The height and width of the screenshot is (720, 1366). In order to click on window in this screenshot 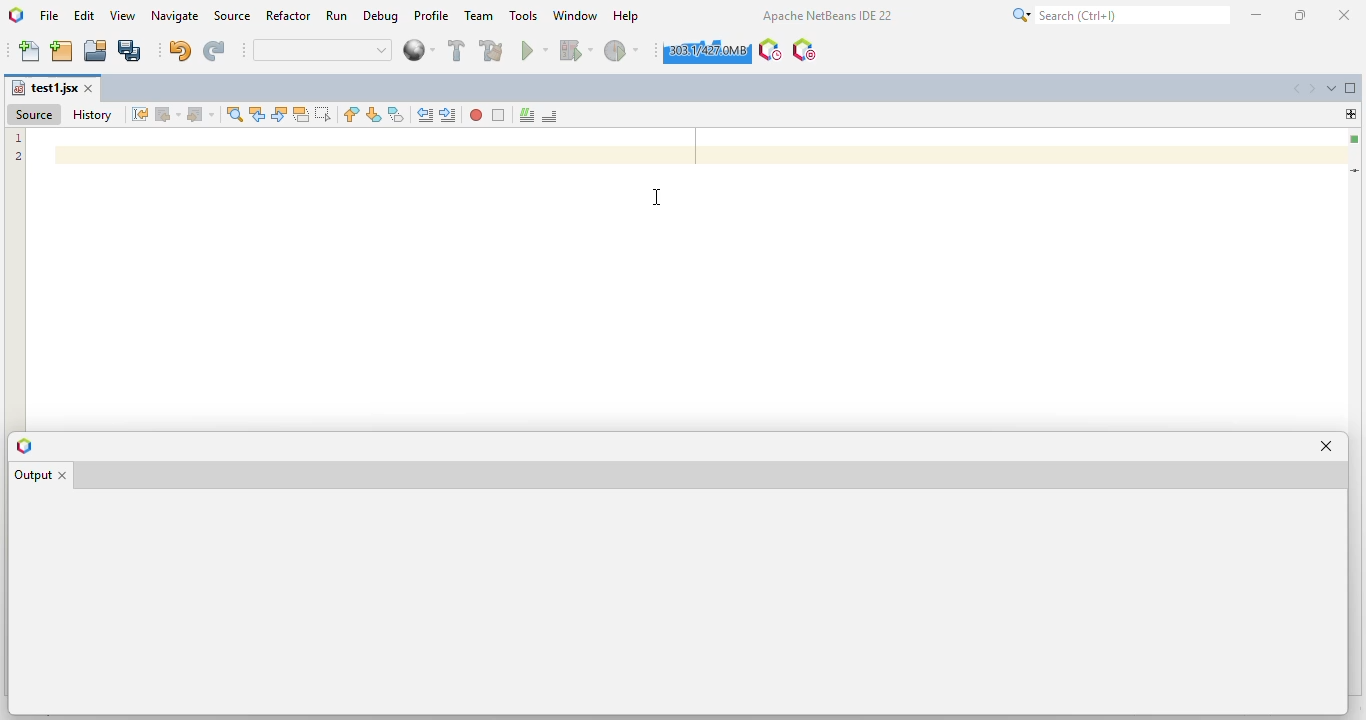, I will do `click(576, 14)`.